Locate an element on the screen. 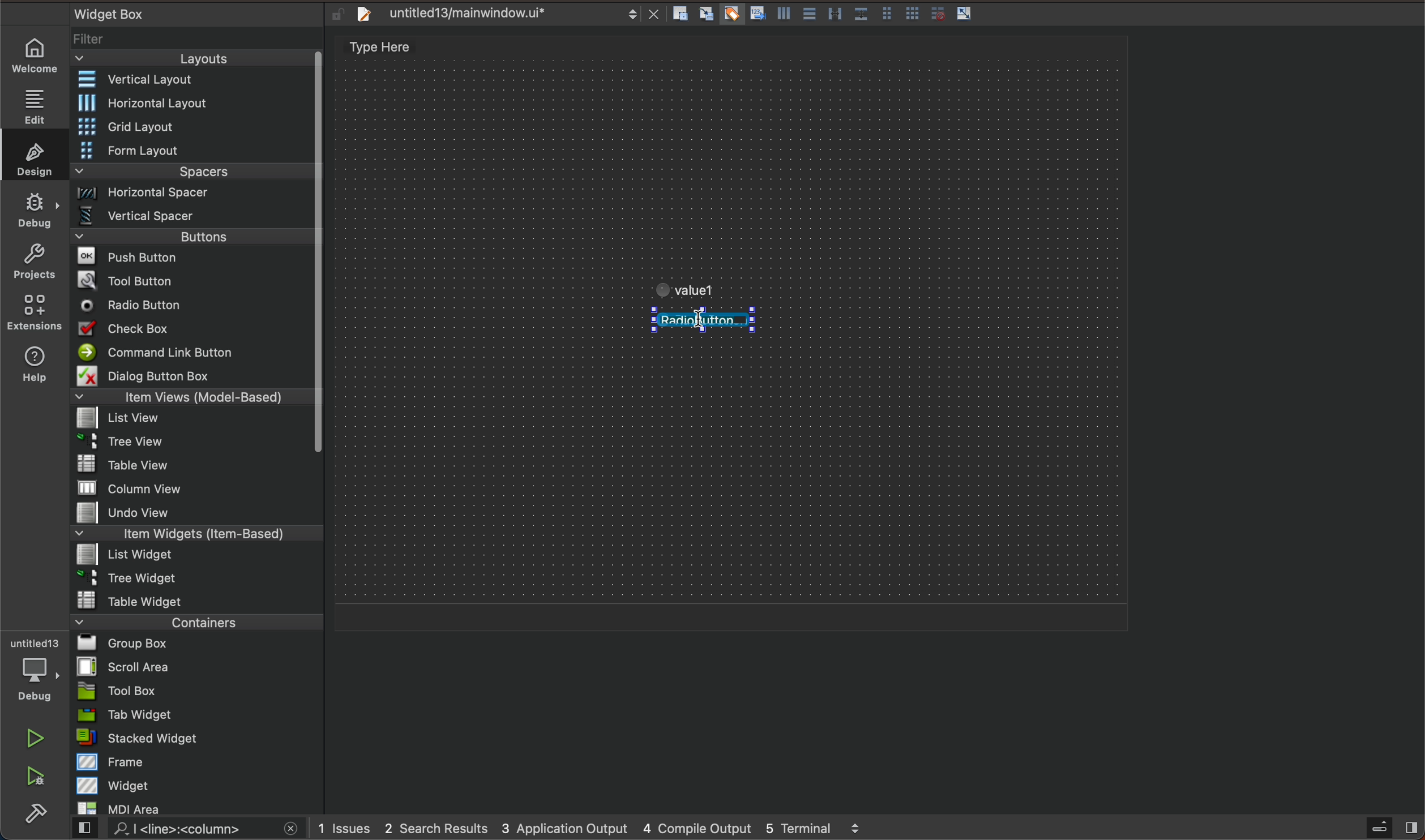 This screenshot has width=1425, height=840. debug is located at coordinates (41, 671).